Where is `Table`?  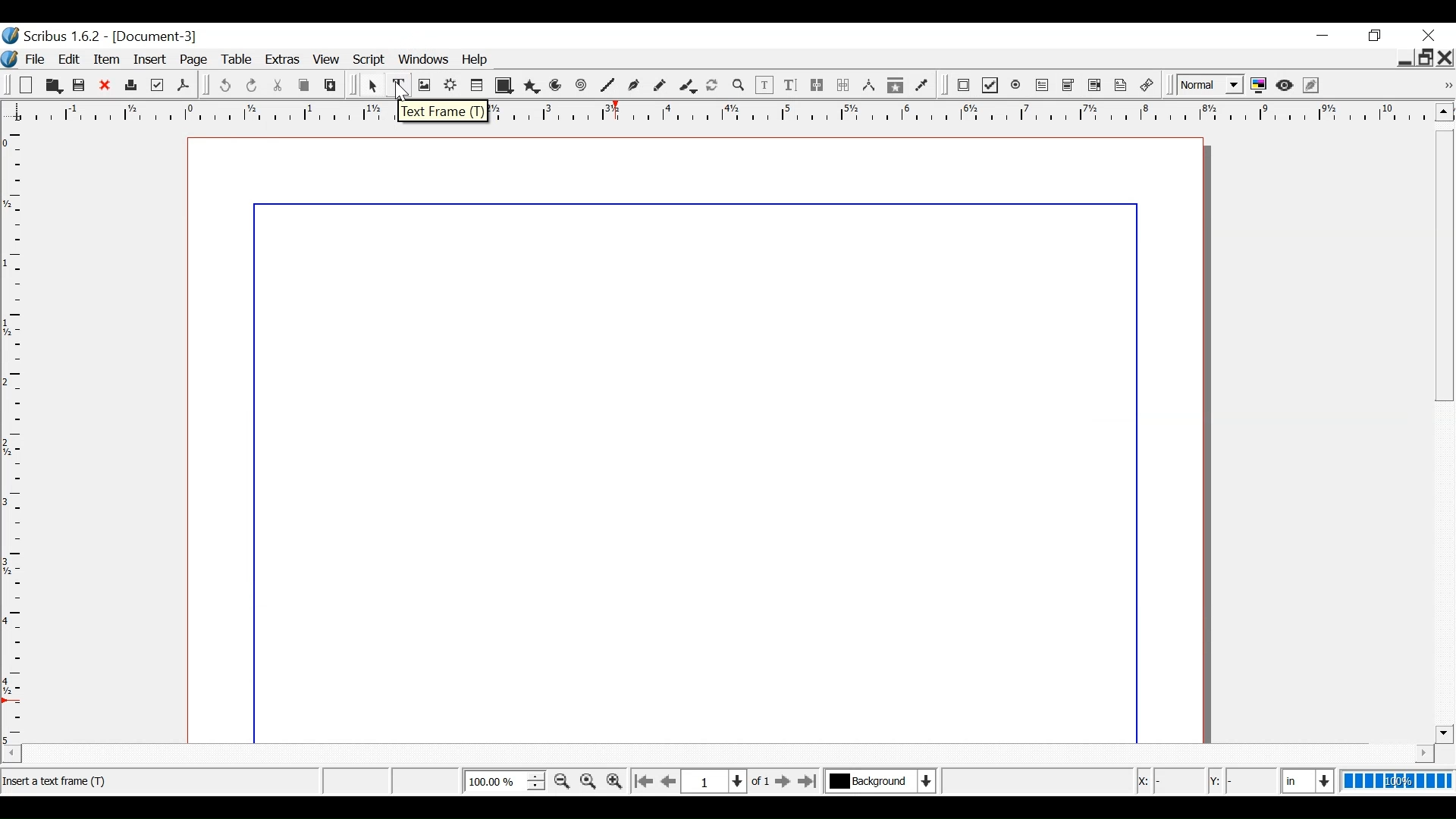
Table is located at coordinates (237, 60).